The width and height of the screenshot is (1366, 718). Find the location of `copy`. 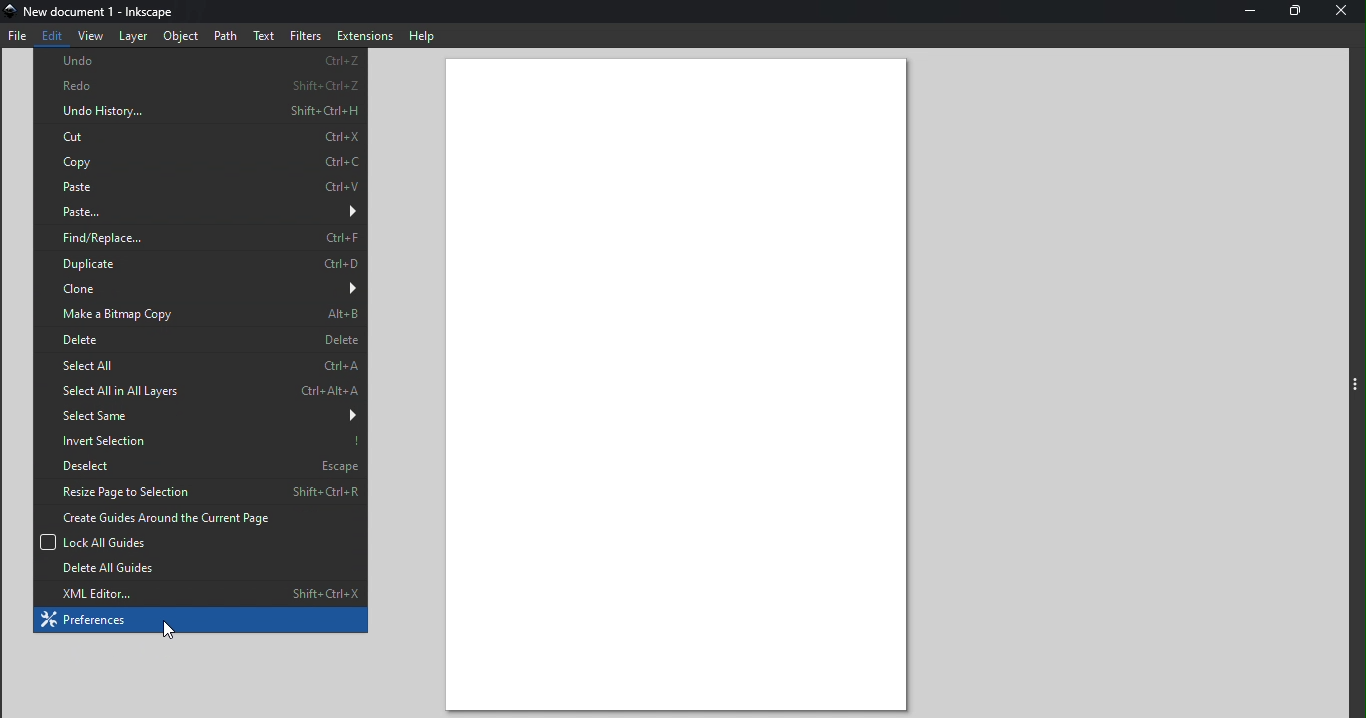

copy is located at coordinates (197, 162).